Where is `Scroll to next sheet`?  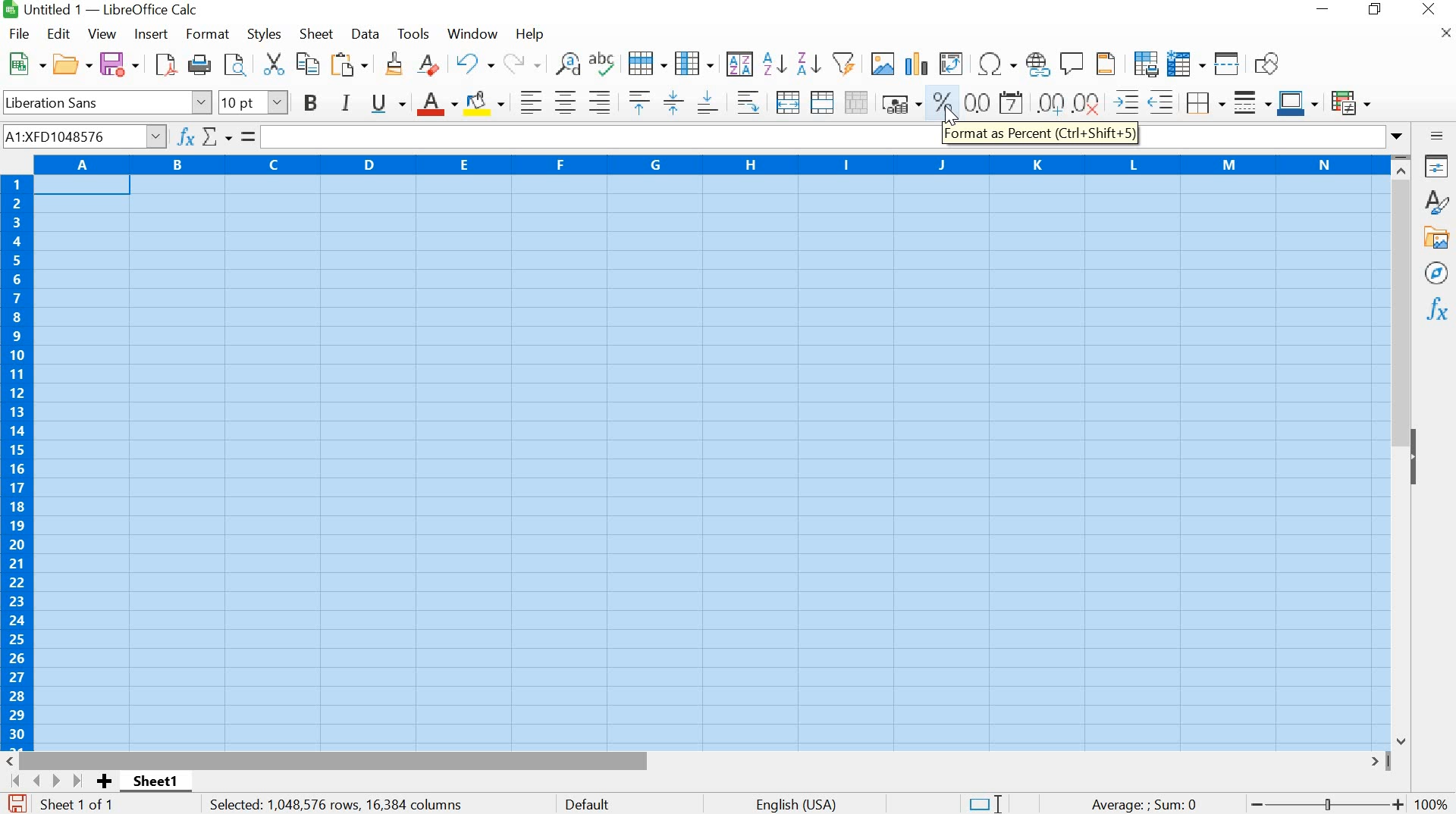 Scroll to next sheet is located at coordinates (44, 781).